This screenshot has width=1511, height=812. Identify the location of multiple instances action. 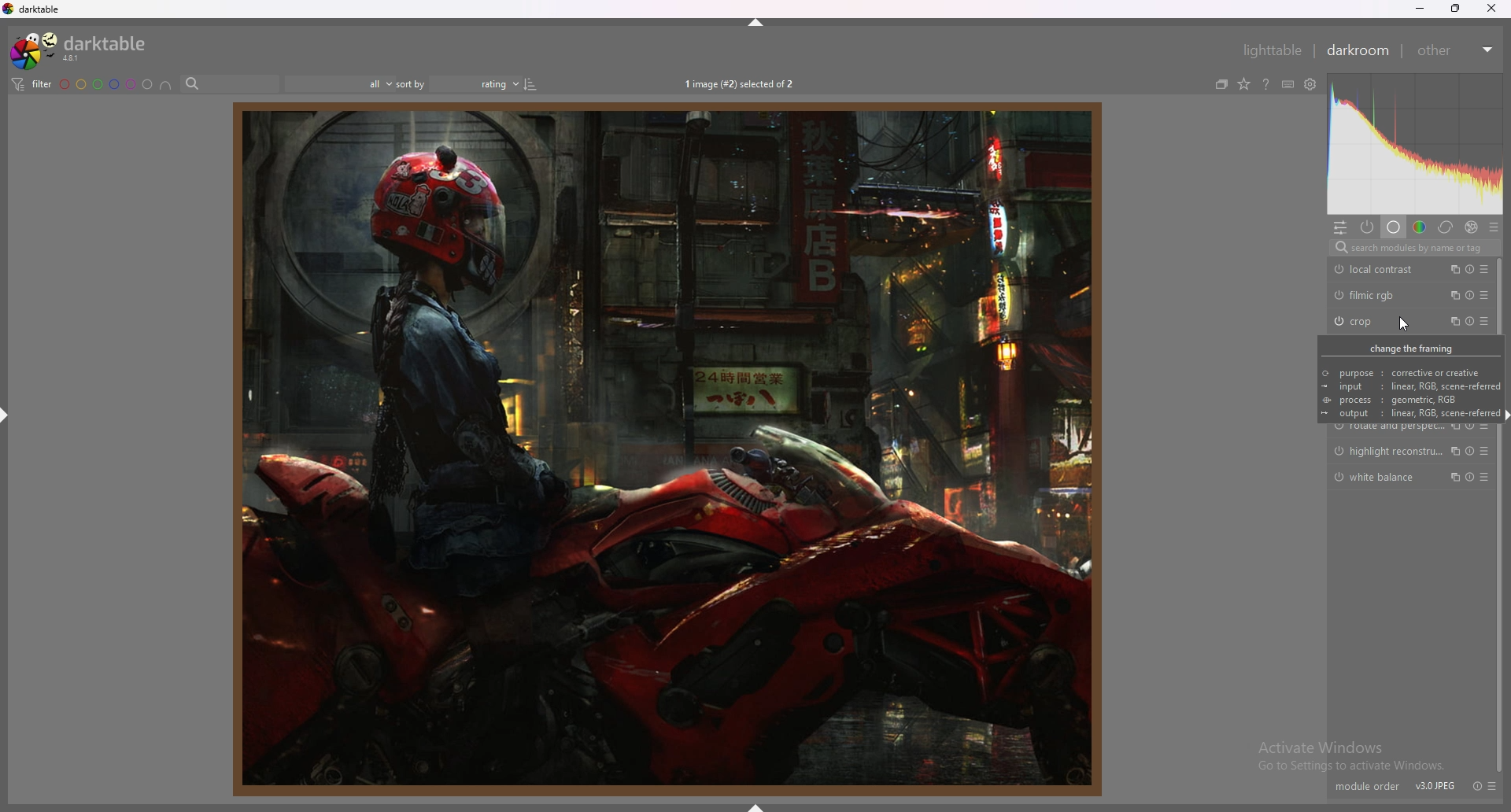
(1452, 295).